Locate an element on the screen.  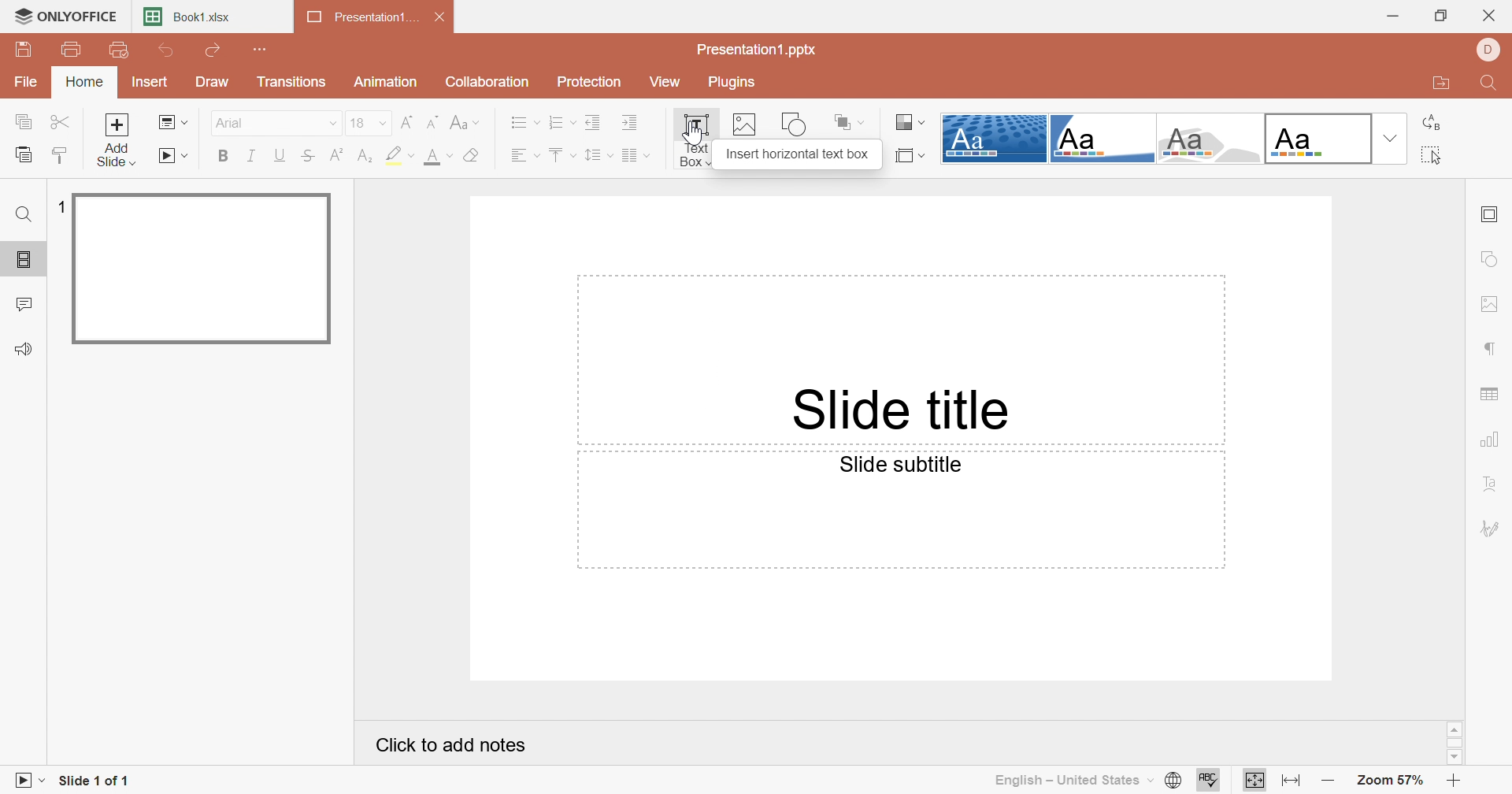
Bullets is located at coordinates (524, 124).